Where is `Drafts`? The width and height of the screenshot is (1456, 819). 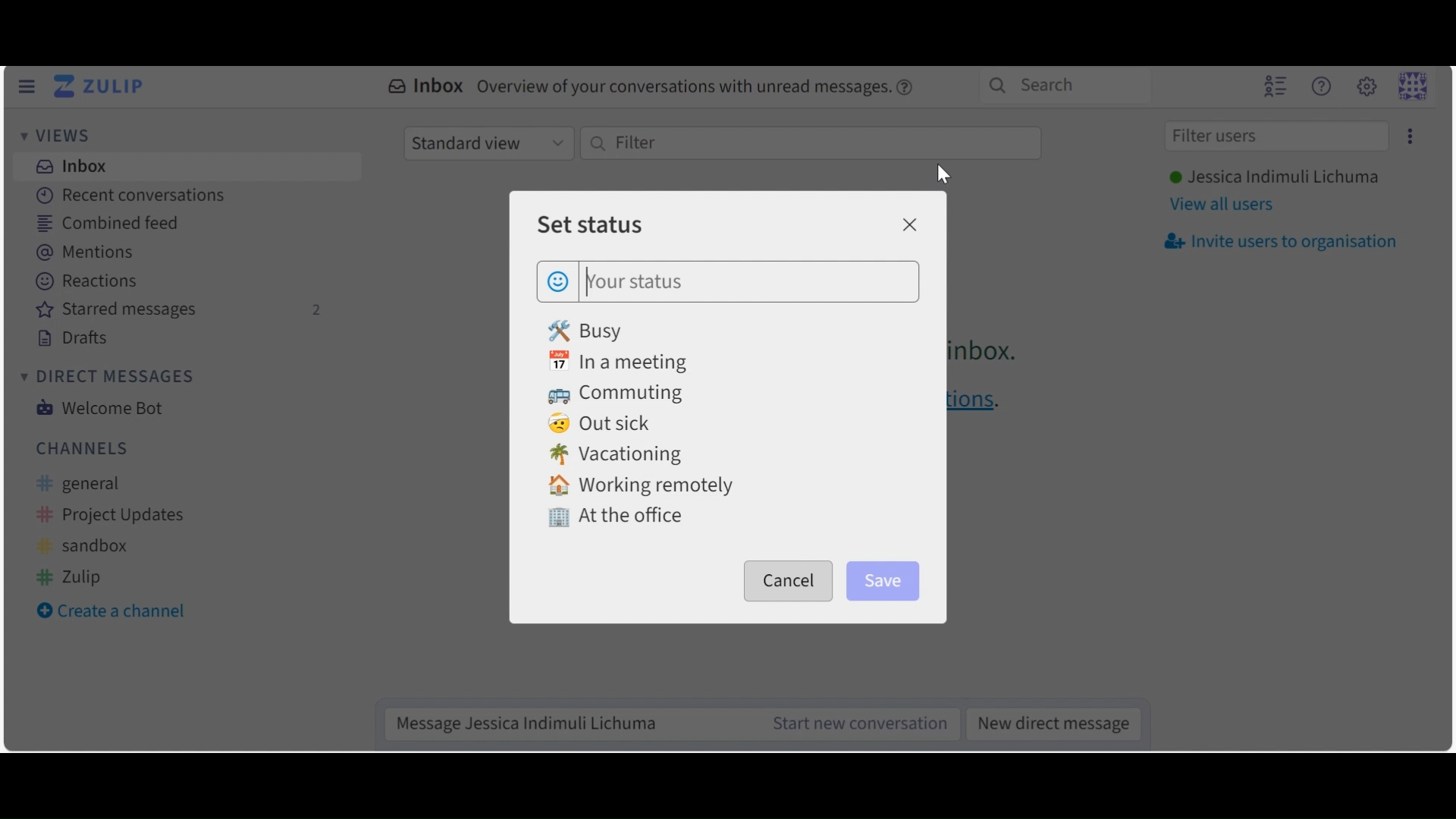 Drafts is located at coordinates (74, 338).